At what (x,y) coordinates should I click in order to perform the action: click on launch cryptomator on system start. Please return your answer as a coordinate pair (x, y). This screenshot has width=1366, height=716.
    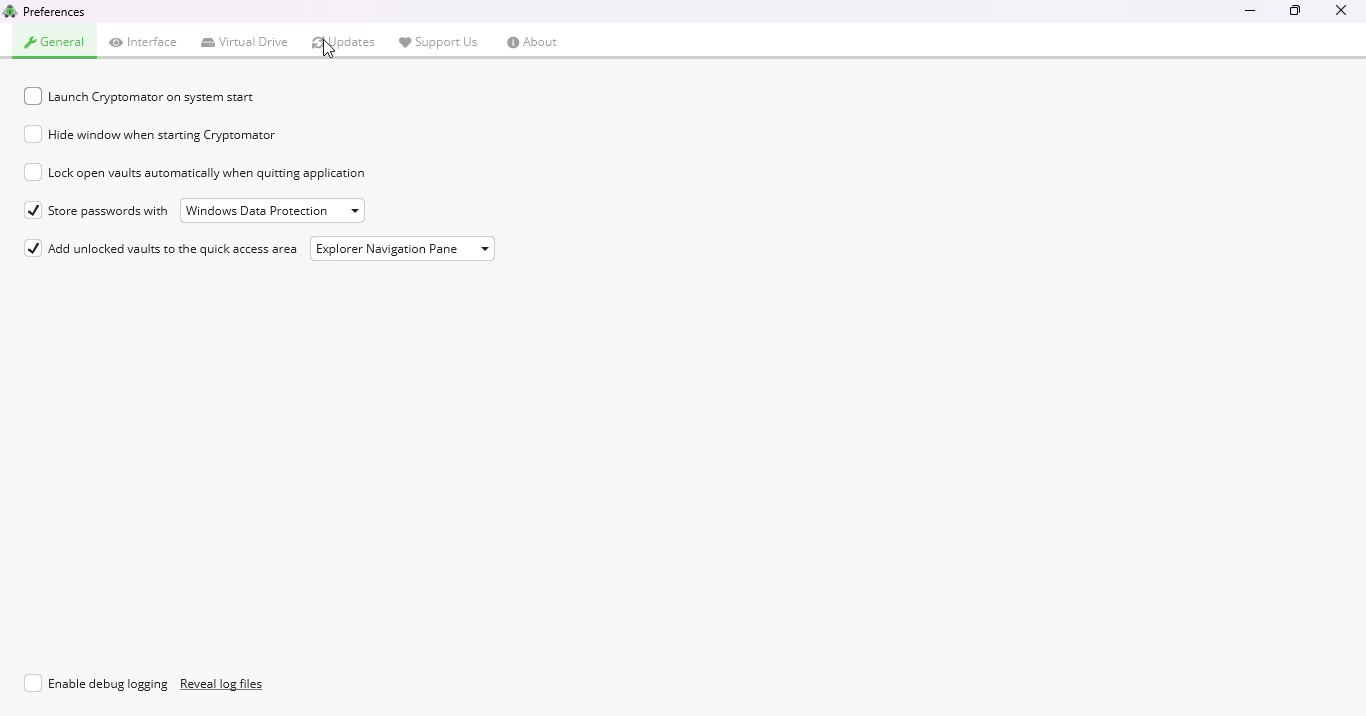
    Looking at the image, I should click on (140, 96).